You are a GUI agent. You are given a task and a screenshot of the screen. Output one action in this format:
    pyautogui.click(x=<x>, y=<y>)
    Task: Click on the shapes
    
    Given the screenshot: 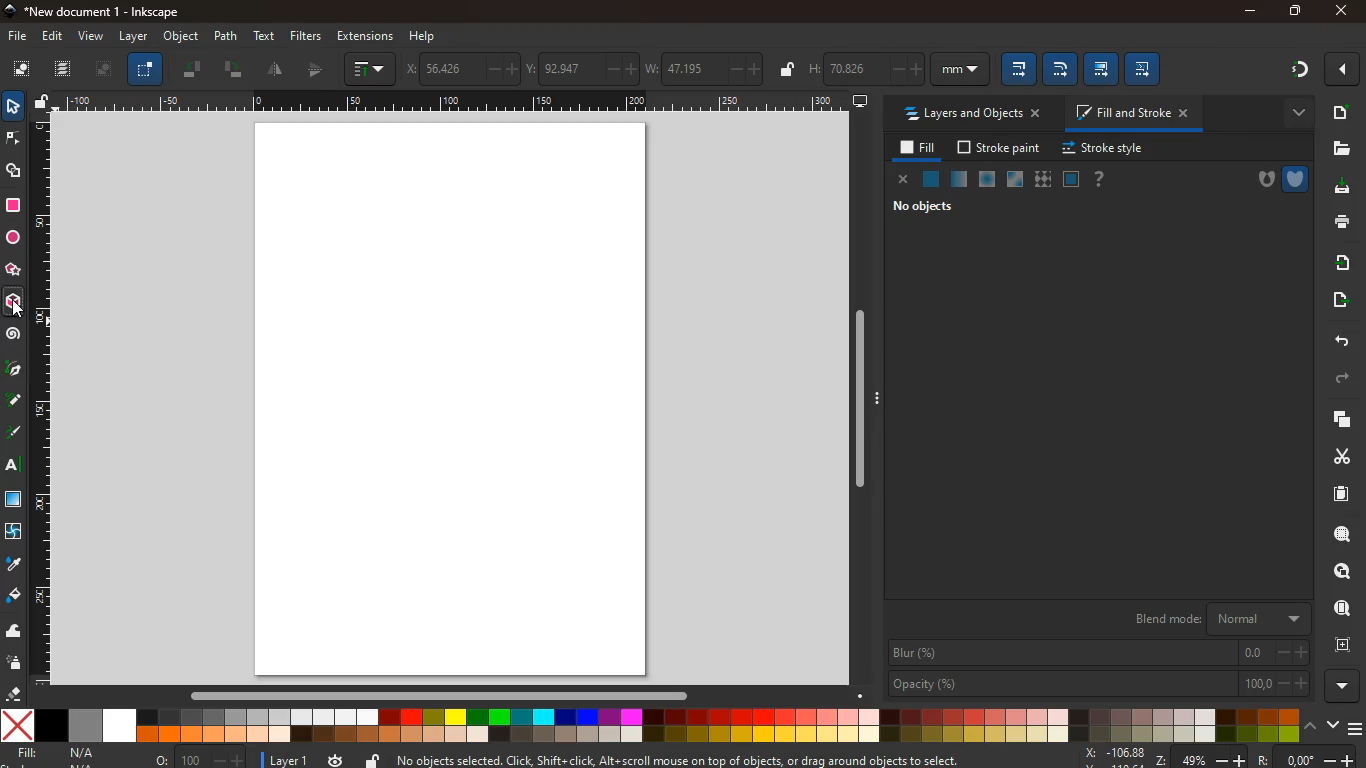 What is the action you would take?
    pyautogui.click(x=16, y=173)
    